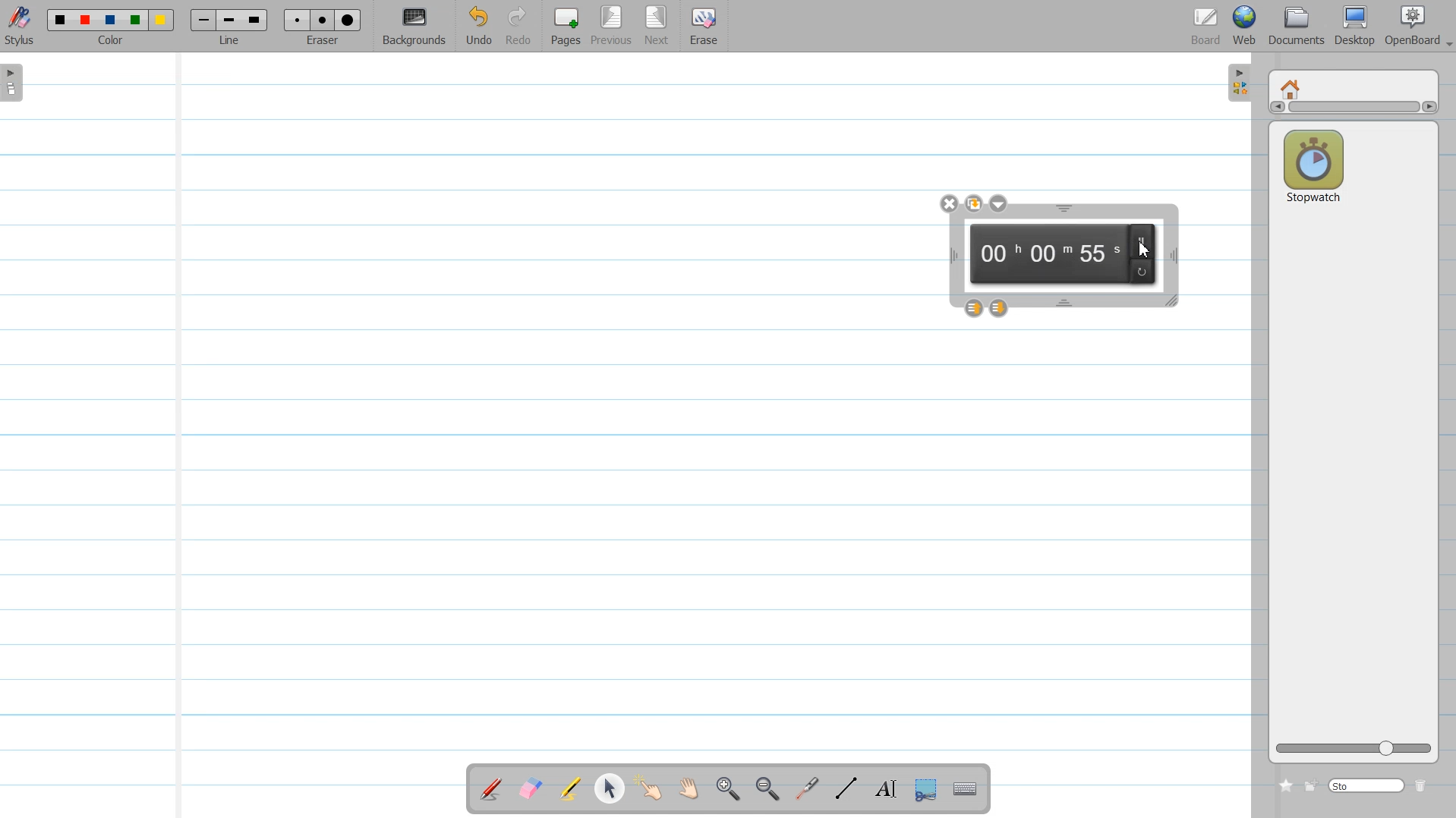 This screenshot has width=1456, height=818. Describe the element at coordinates (810, 789) in the screenshot. I see `Virtual laser pointer` at that location.